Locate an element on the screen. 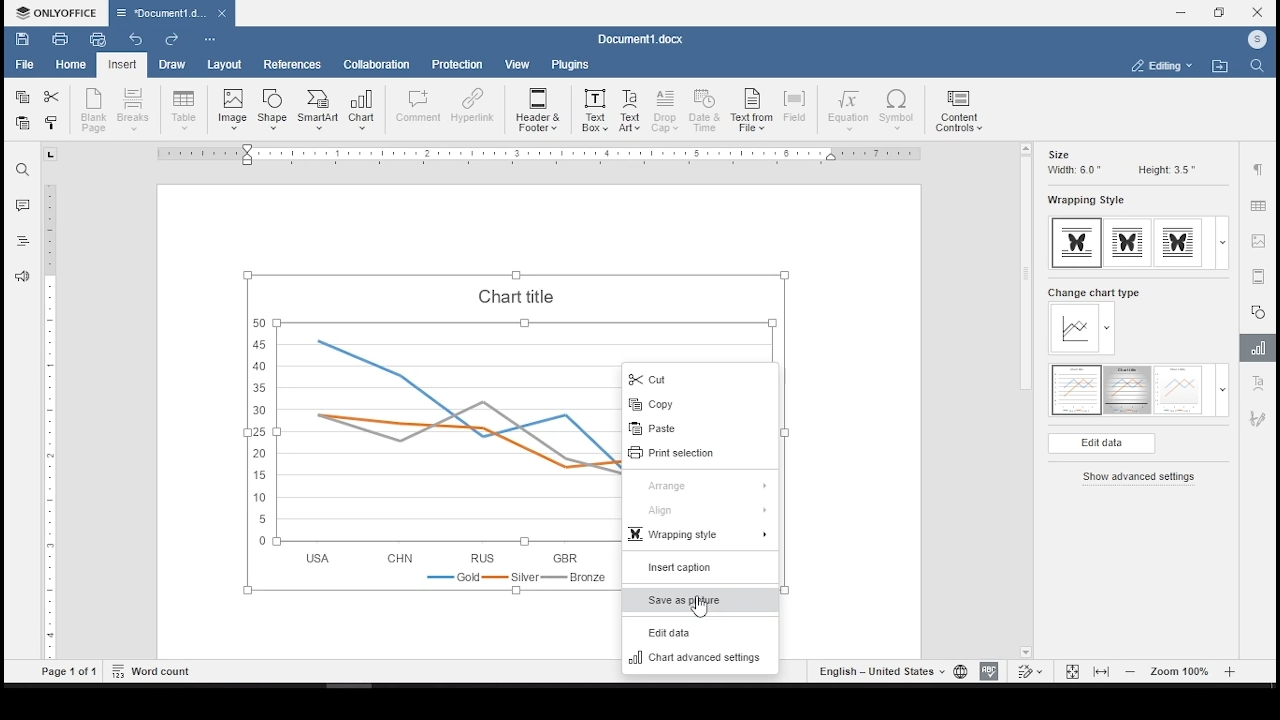 Image resolution: width=1280 pixels, height=720 pixels. drop cap is located at coordinates (666, 111).